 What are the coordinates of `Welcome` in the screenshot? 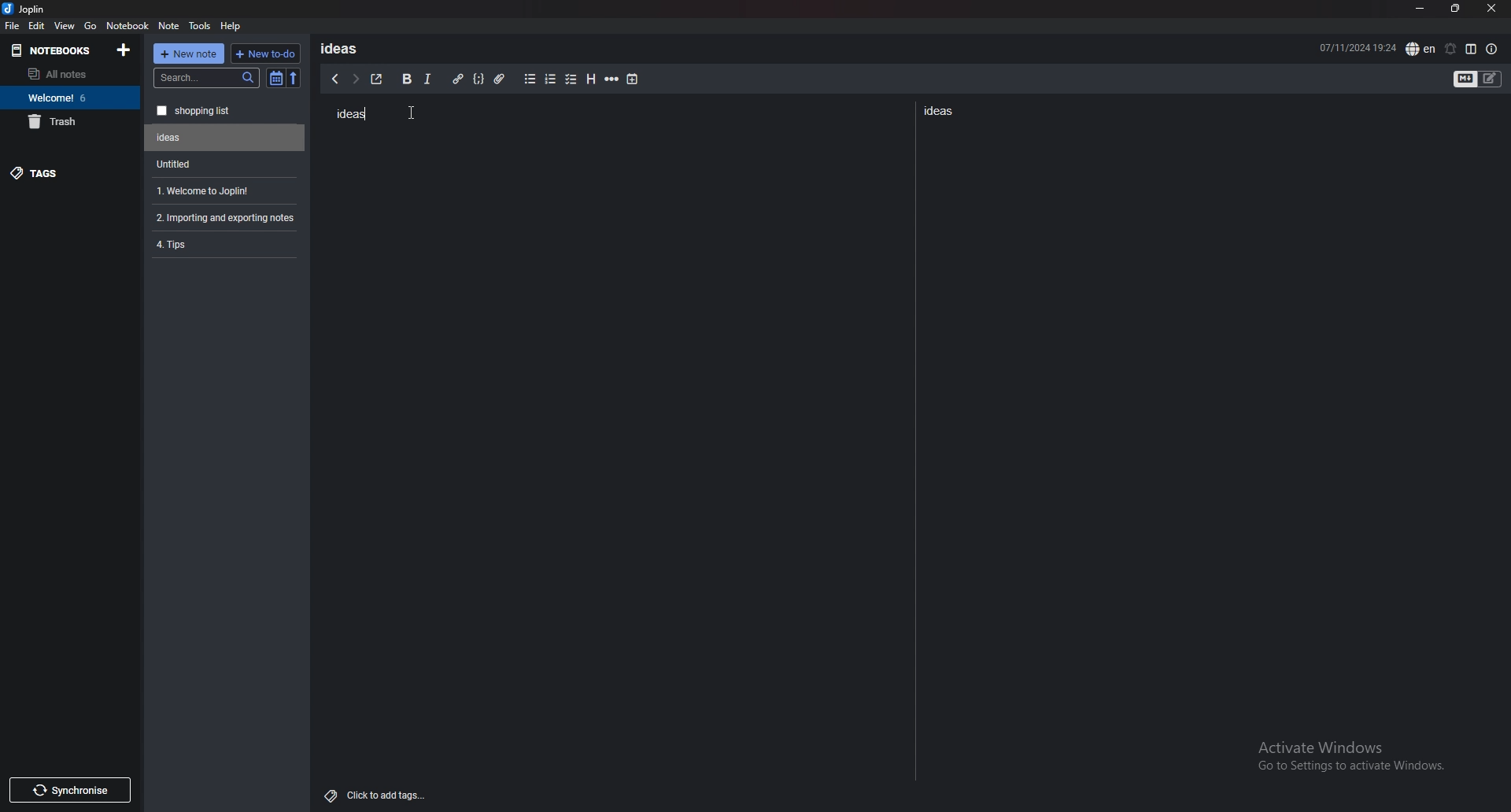 It's located at (69, 97).